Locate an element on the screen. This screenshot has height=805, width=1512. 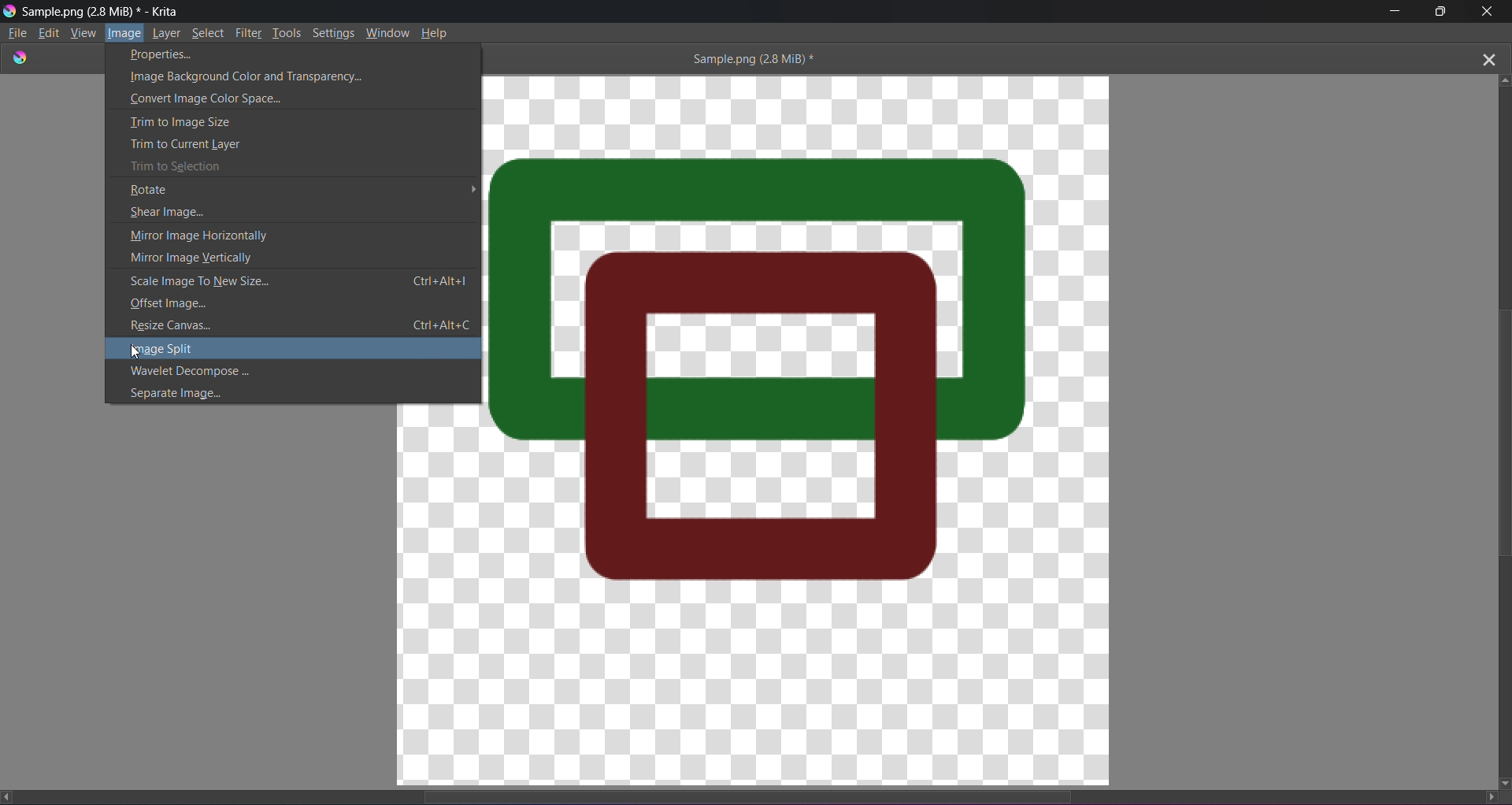
Rotate is located at coordinates (302, 187).